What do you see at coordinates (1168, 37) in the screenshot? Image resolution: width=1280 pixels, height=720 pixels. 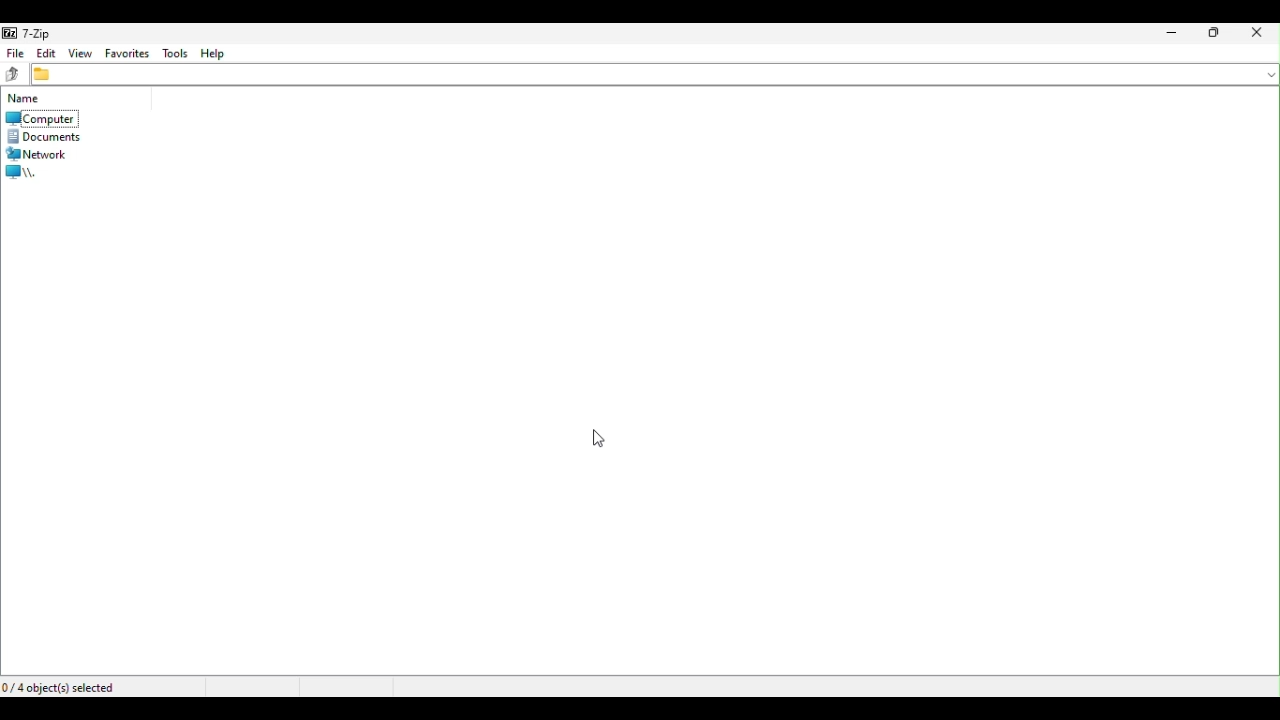 I see `Minimise` at bounding box center [1168, 37].